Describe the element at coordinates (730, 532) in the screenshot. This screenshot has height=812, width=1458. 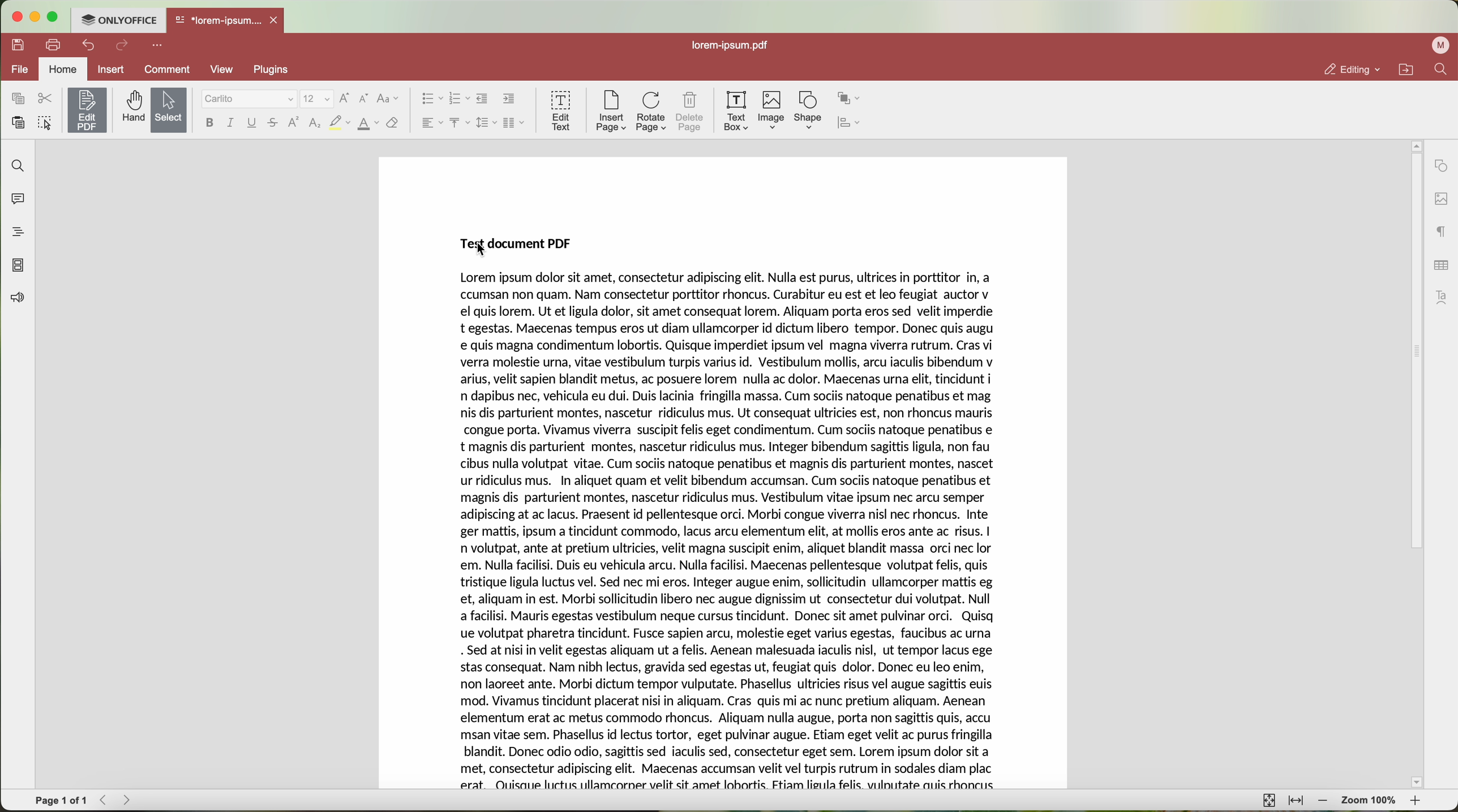
I see `Lorem Ipsum dolor sit amet, consectetur adipiscing elit. Nulla est purus, ultrices in porttitor In, a
ccumsan non quam. Nam consectetur porttitor rhoncus. Curabitur eu est et leo feugiat auctor v
el quis lorem. Ut et ligula dolor, sit amet consequat lorem. Aliquam porta eros sed velit imperdie
t egestas. Maecenas tempus eros ut diam ullamcorper id dictum libero tempor. Donec quis augu
e quis magna condimentum lobortis. Quisque imperdiet ipsum vel magna viverra rutrum. Cras vi
verra molestie urna, vitae vestibulum turpis varius id. Vestibulum mollis, arcu iaculis bibendum v
arius, velit sapien blandit metus, ac posuere lorem nulla ac dolor. Maecenas urna elit, tincidunt i
n dapibus nec, vehicula eu dui. Duis lacinia fringilla massa. Cum sociis natoque penatibus et mag
nis dis parturient montes, nascetur ridiculus mus. Ut consequat ultricies est, non rhoncus mauris
congue porta. Vivamus viverra suscipit felis eget condimentum. Cum sociis natoque penatibus e
t magnis dis parturient montes, nascetur ridiculus mus. Integer bibendum sagittis ligula, non fau
cibus nulla volutpat vitae. Cum sociis natoque penatibus et magnis dis parturient montes, nascet
ur ridiculus mus. In aliquet quam et velit bibendum accumsan. Cum sociis natoque penatibus et
magnis dis parturient montes, nascetur ridiculus mus. Vestibulum vitae ipsum nec arcu semper
adipiscing at ac lacus. Praesent id pellentesque orci. Morbi congue viverra nisl nec rhoncus. Inte
ger mattis, ipsum a tincidunt commodo, lacus arcu elementum elit, at mollis eros ante ac risus. |
n volutpat, ante at pretium ultricies, velit magna suscipit enim, aliquet blandit massa orci nec lor
em. Nulla facilisi. Duis eu vehicula arcu. Nulla facilisi. Maecenas pellentesque volutpat felis, quis
tristique ligula luctus vel. Sed nec mi eros. Integer augue enim, sollicitudin ullamcorper mattis eg
et, aliquam in est. Morbi sollicitudin libero nec augue dignissim ut consectetur dui volutpat. Null
a facilisi. Mauris egestas vestibulum neque cursus tincidunt. Donec sit amet pulvinar orci. Quisq
ue volutpat pharetra tincidunt. Fusce sapien arcu, molestie eget varius egestas, faucibus ac urna
. Sed at nisi in velit egestas aliquam ut a felis. Aenean malesuada iaculis nisl, ut tempor lacus ege
stas consequat. Nam nibh lectus, gravida sed egestas ut, feugiat quis dolor. Donec eu leo enim,
non laoreet ante. Morbi dictum tempor vulputate. Phasellus ultricies risus vel augue sagittis euis
mod. Vivamus tincidunt placerat nisi in aliquam. Cras quis mi ac nunc pretium aliquam. Aenean
elementum erat ac metus commodo rhoncus. Aliquam nulla augue, porta non sagittis quis, accu
msan vitae sem. Phasellus id lectus tortor, eget pulvinar augue. Etiam eget velit ac purus fringilla
blandit. Donec odio odio, sagittis sed iaculis sed, consectetur eget sem. Lorem ipsum dolor sit a
met, consectetur adipiscing elit. Maecenas accumsan velit vel turpis rutrum in sodales diam plac
erat. Quisaue luctus ullamecorner velit sit amet lohortis. Ftiam ligula felis. vulnutate auis rhoncus` at that location.